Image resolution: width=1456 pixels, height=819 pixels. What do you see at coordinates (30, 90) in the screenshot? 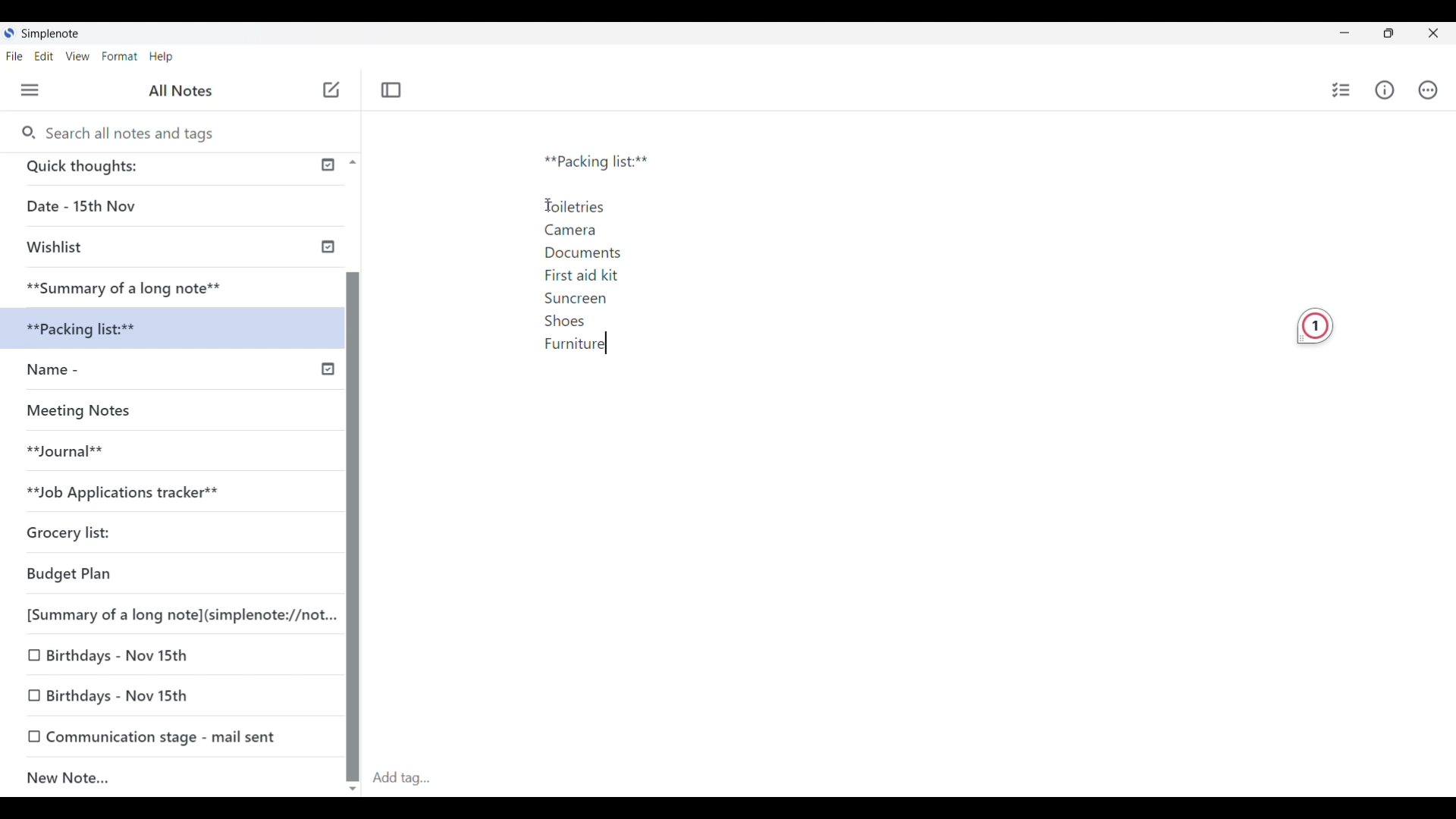
I see `Menu` at bounding box center [30, 90].